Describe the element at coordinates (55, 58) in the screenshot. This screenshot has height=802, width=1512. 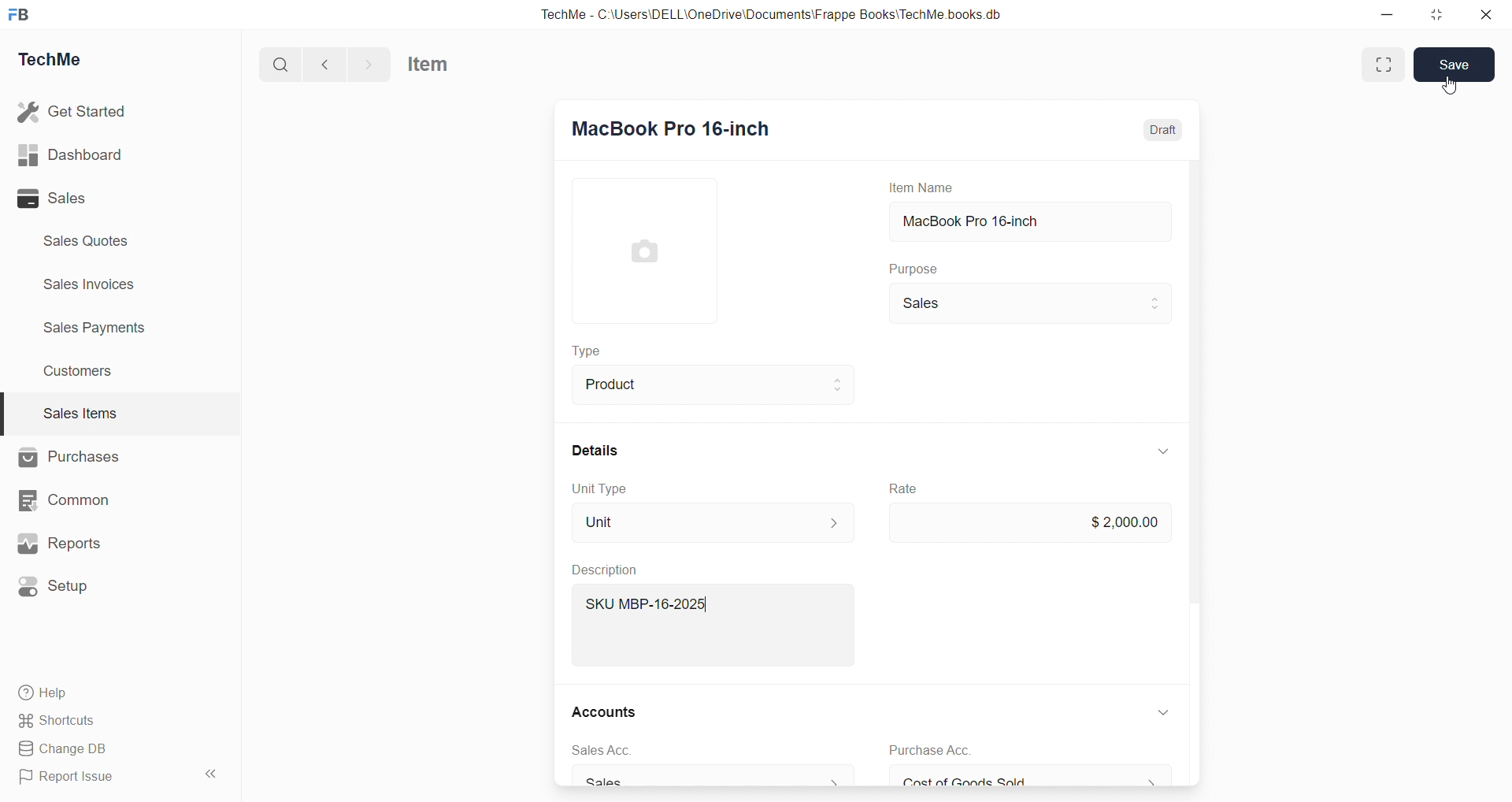
I see `TechMe` at that location.